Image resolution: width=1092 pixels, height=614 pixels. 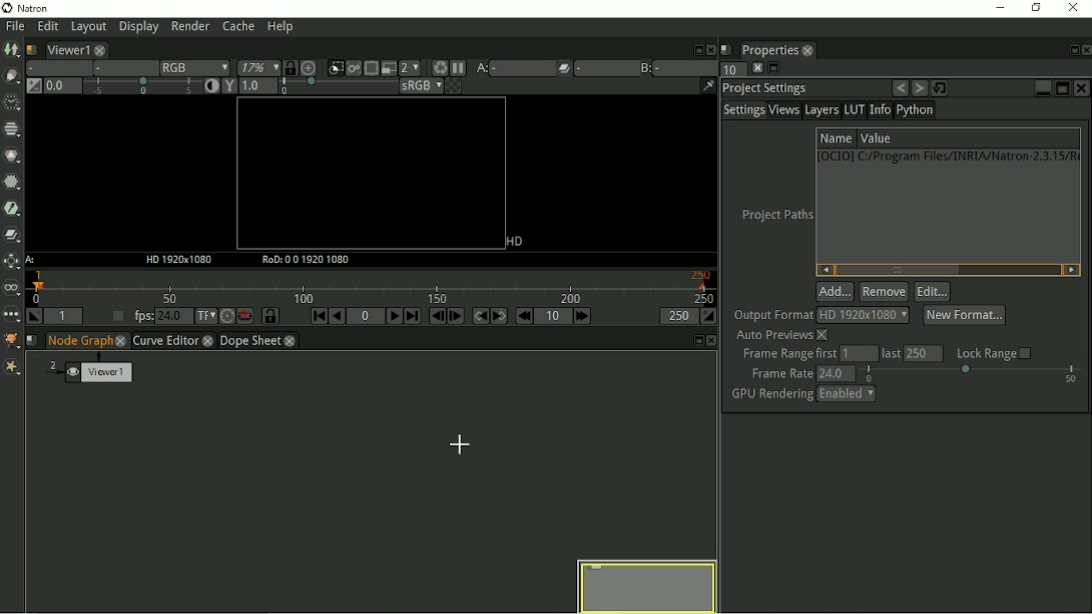 What do you see at coordinates (118, 88) in the screenshot?
I see `Gain` at bounding box center [118, 88].